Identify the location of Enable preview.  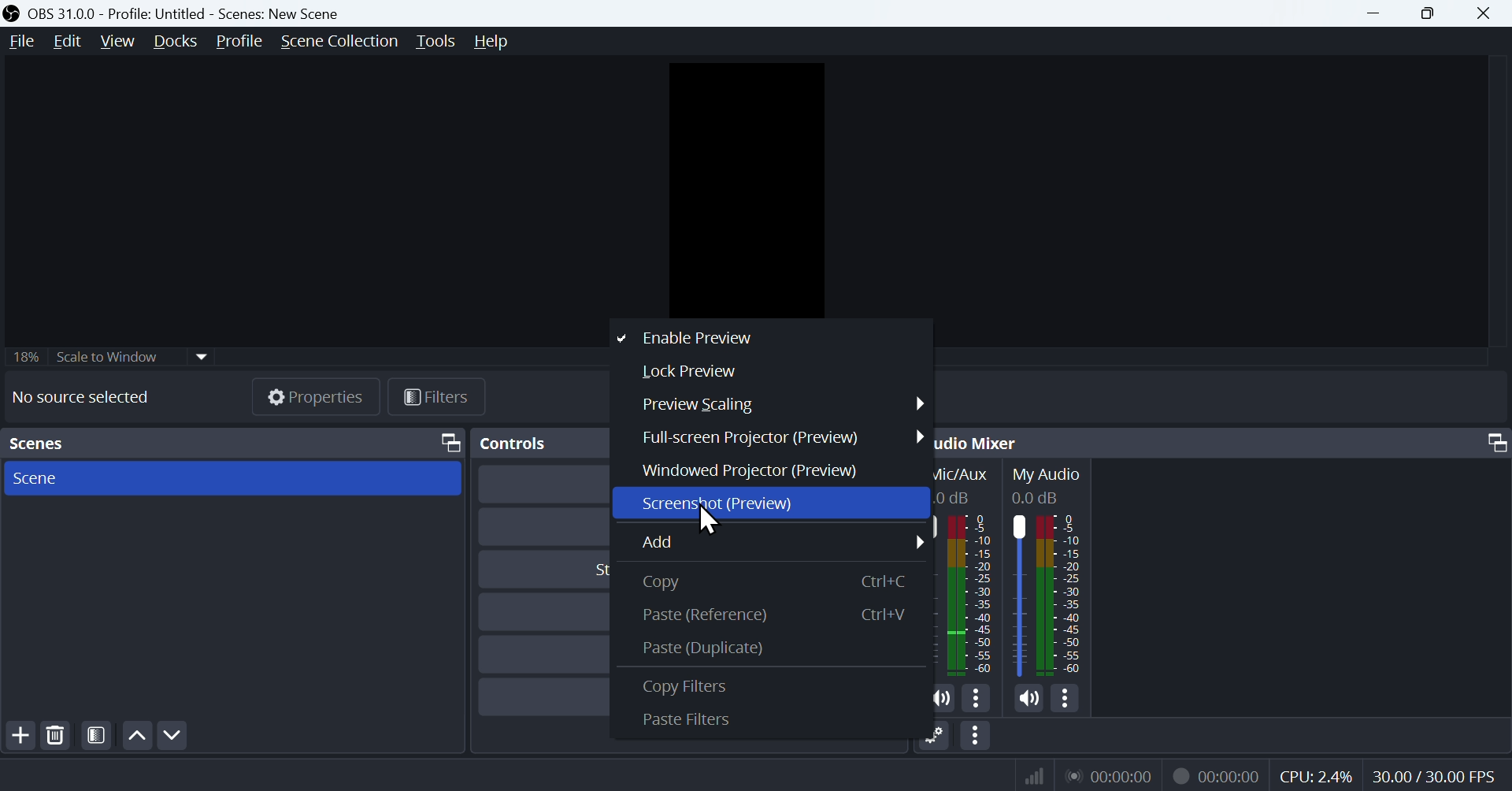
(708, 334).